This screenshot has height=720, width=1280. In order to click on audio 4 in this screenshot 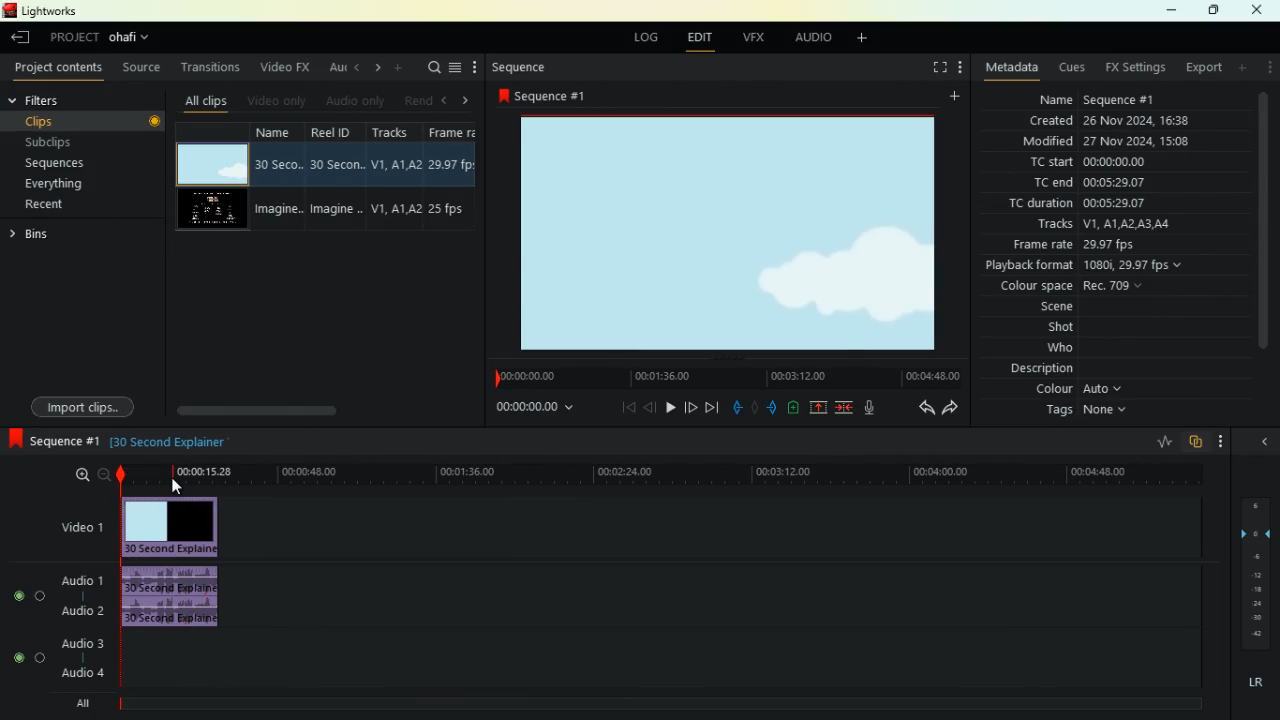, I will do `click(75, 674)`.